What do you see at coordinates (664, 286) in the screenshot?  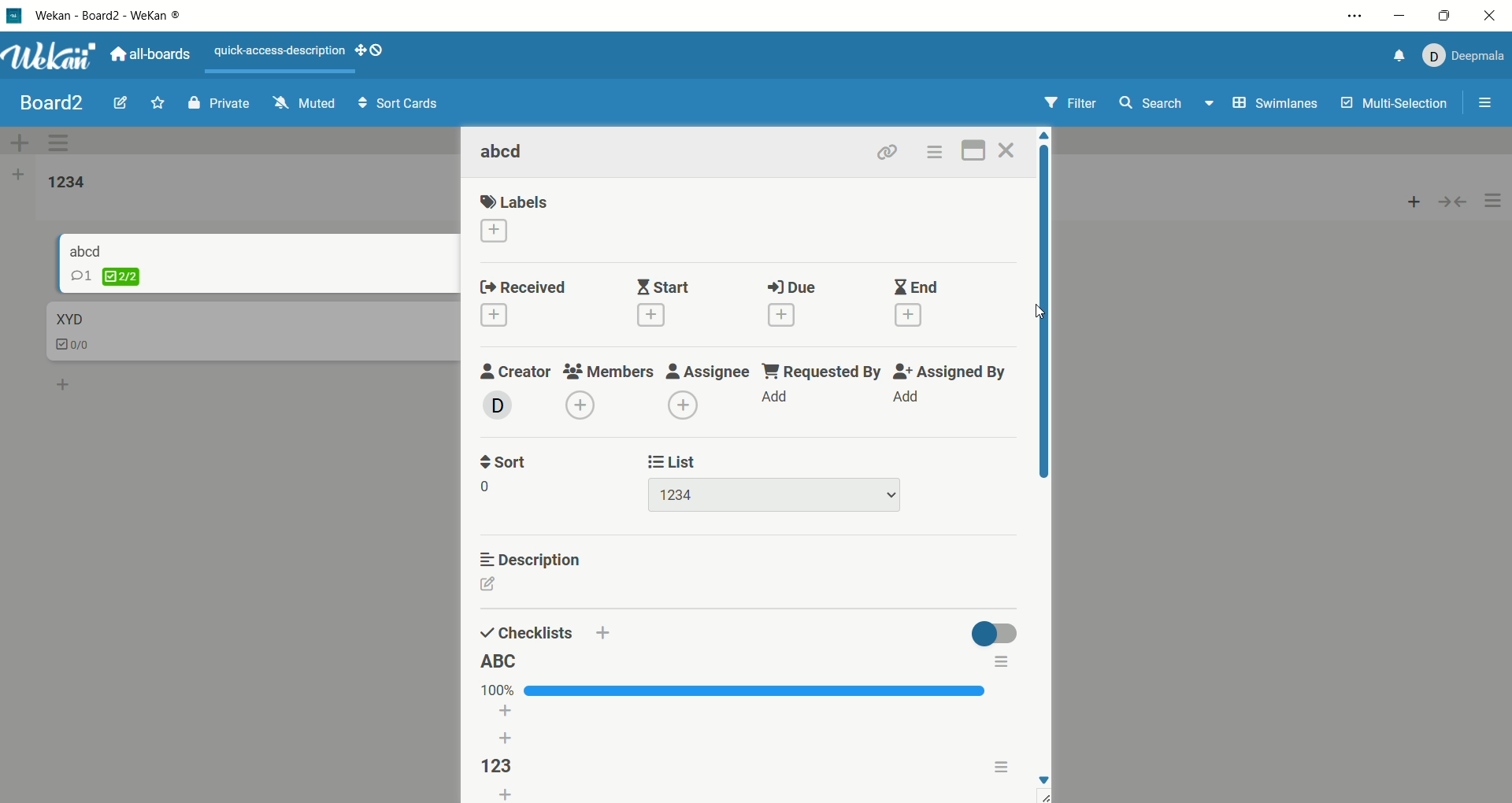 I see `start` at bounding box center [664, 286].